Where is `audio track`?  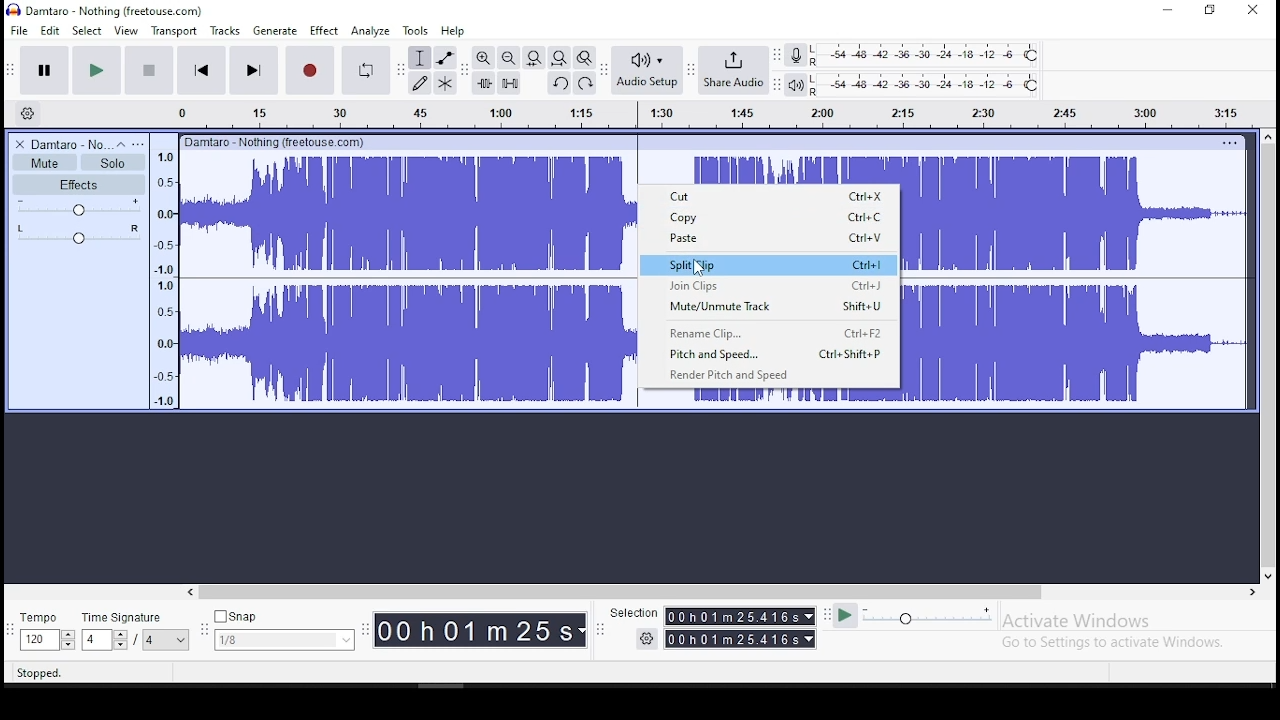
audio track is located at coordinates (1072, 282).